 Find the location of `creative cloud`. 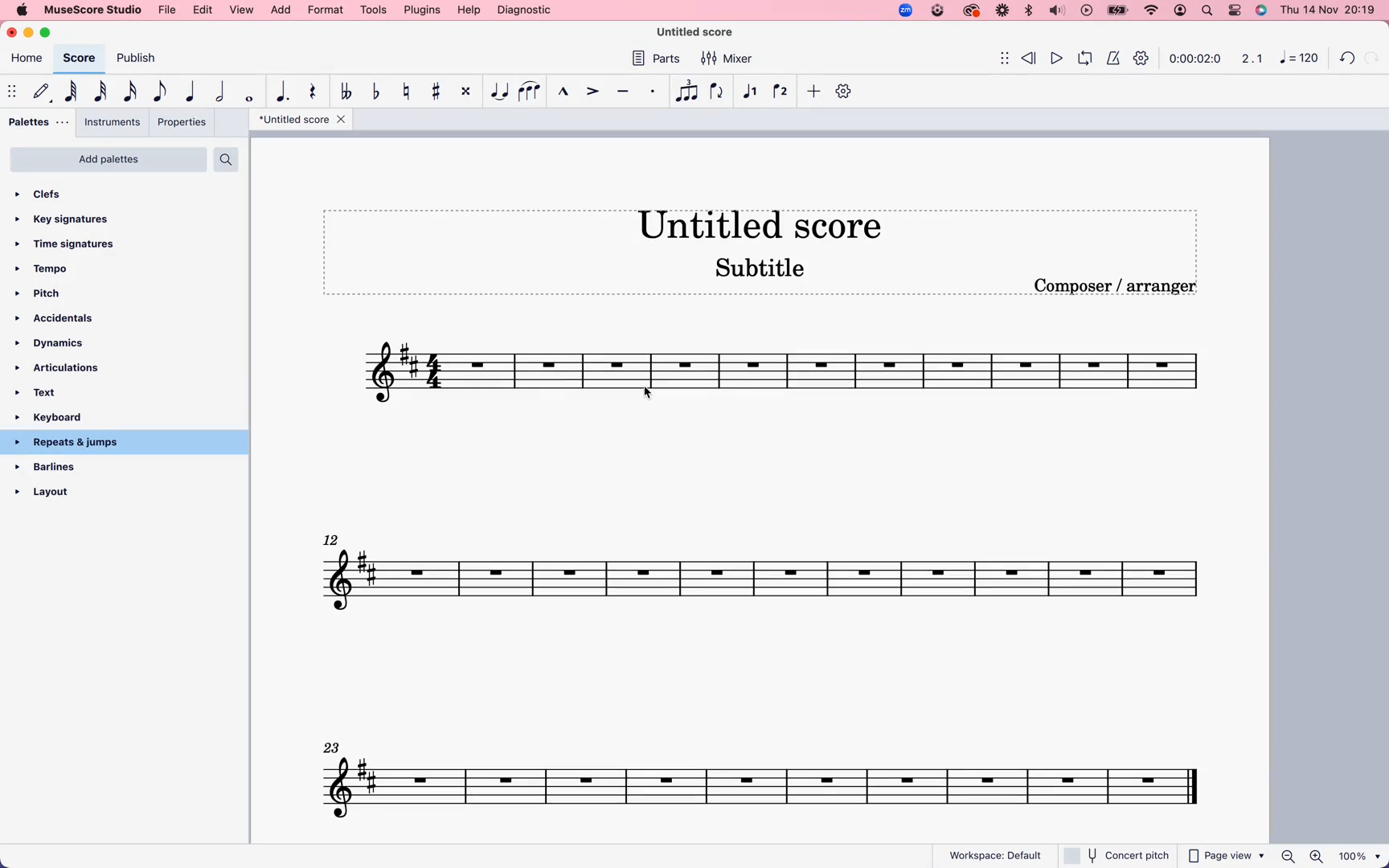

creative cloud is located at coordinates (972, 12).